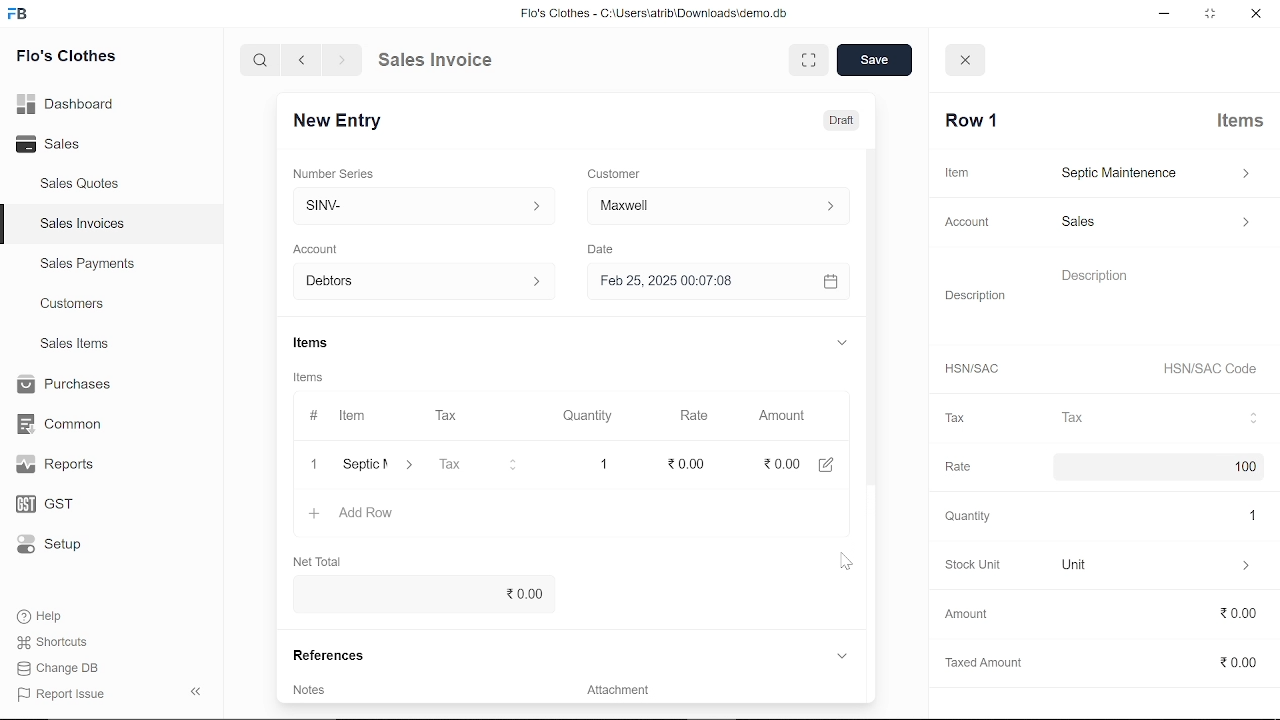  What do you see at coordinates (1158, 297) in the screenshot?
I see `description` at bounding box center [1158, 297].